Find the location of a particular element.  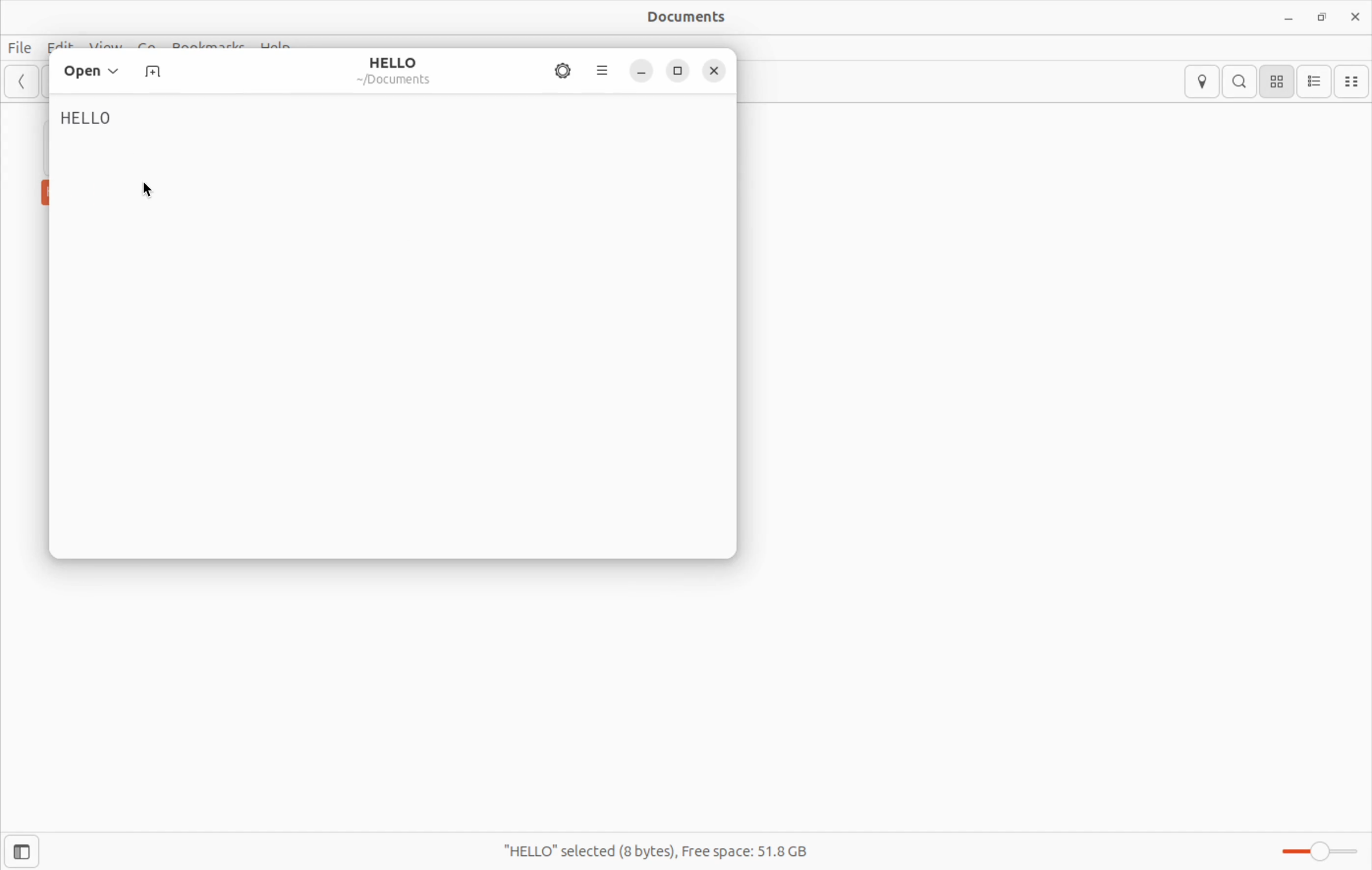

close is located at coordinates (716, 69).